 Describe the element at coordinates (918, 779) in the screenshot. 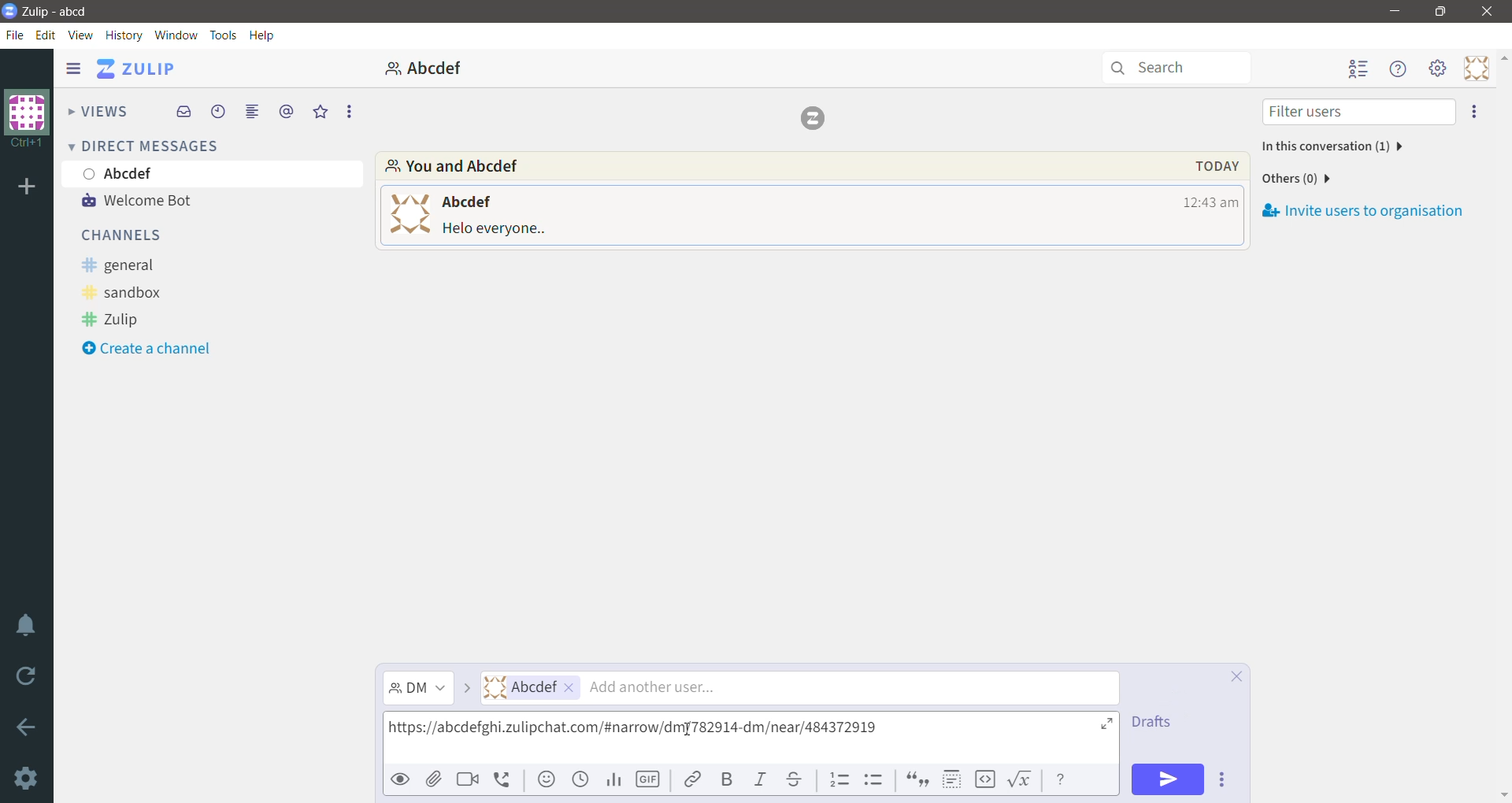

I see `Quote` at that location.